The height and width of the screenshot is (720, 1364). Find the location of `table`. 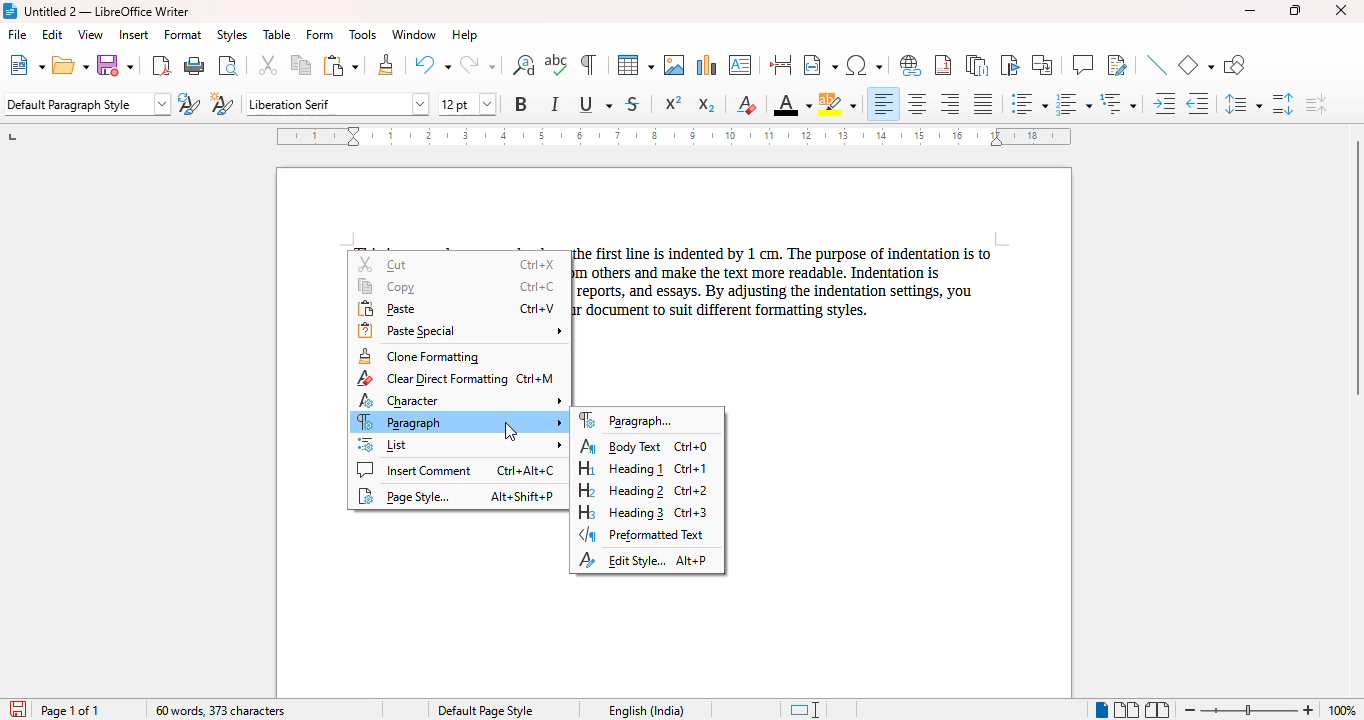

table is located at coordinates (277, 35).